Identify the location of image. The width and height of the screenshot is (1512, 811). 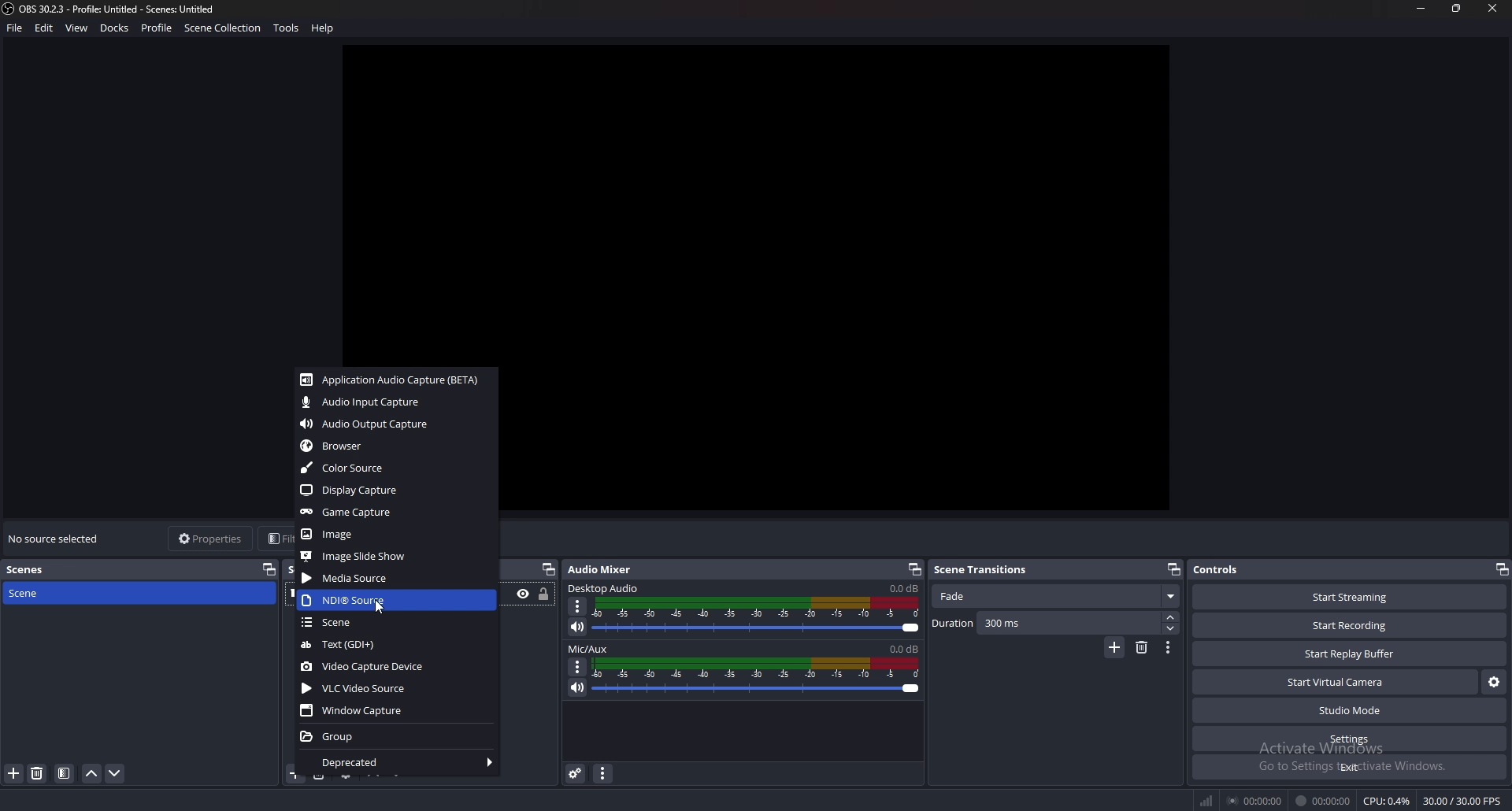
(395, 534).